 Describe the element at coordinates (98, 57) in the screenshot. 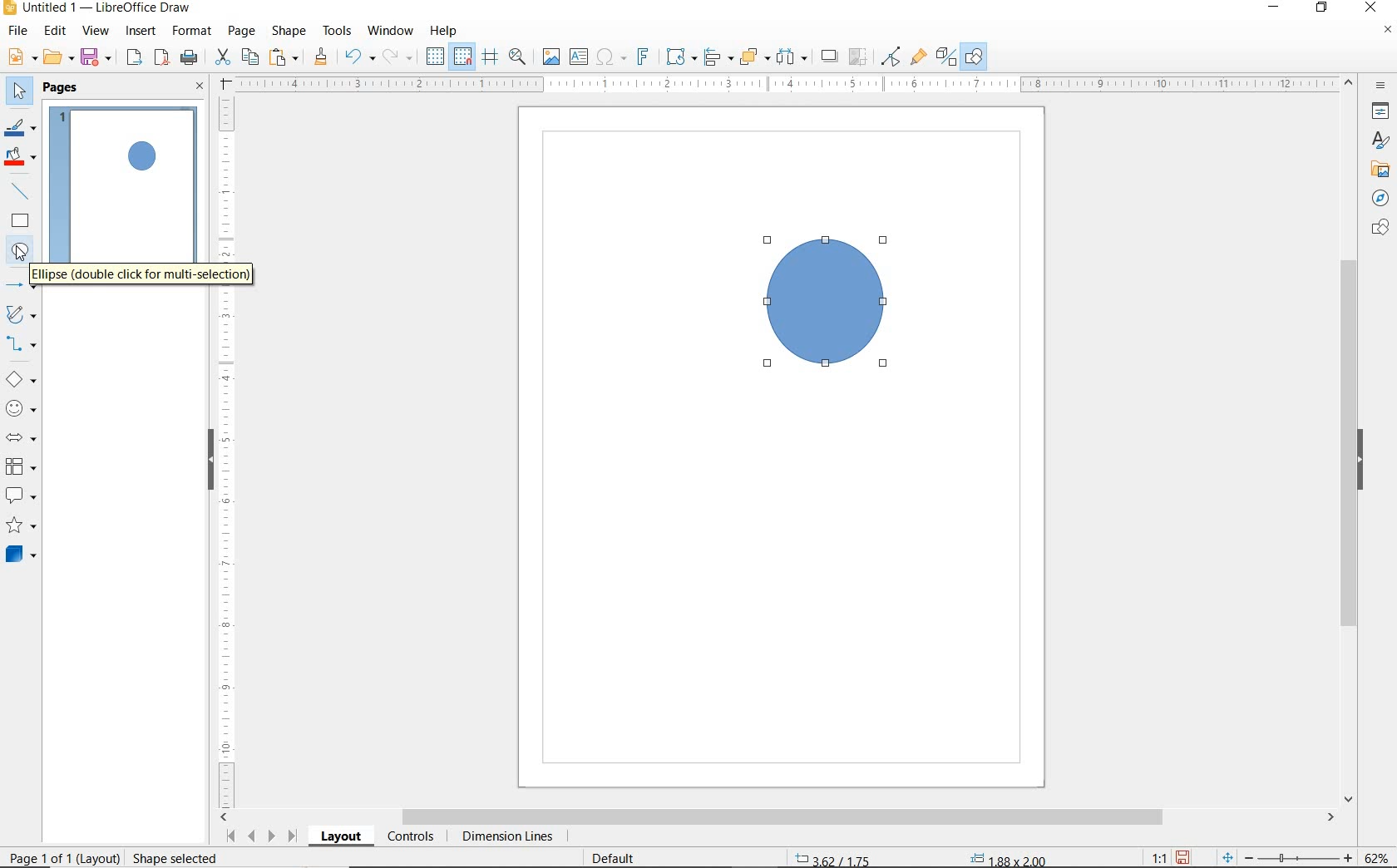

I see `SAVE` at that location.